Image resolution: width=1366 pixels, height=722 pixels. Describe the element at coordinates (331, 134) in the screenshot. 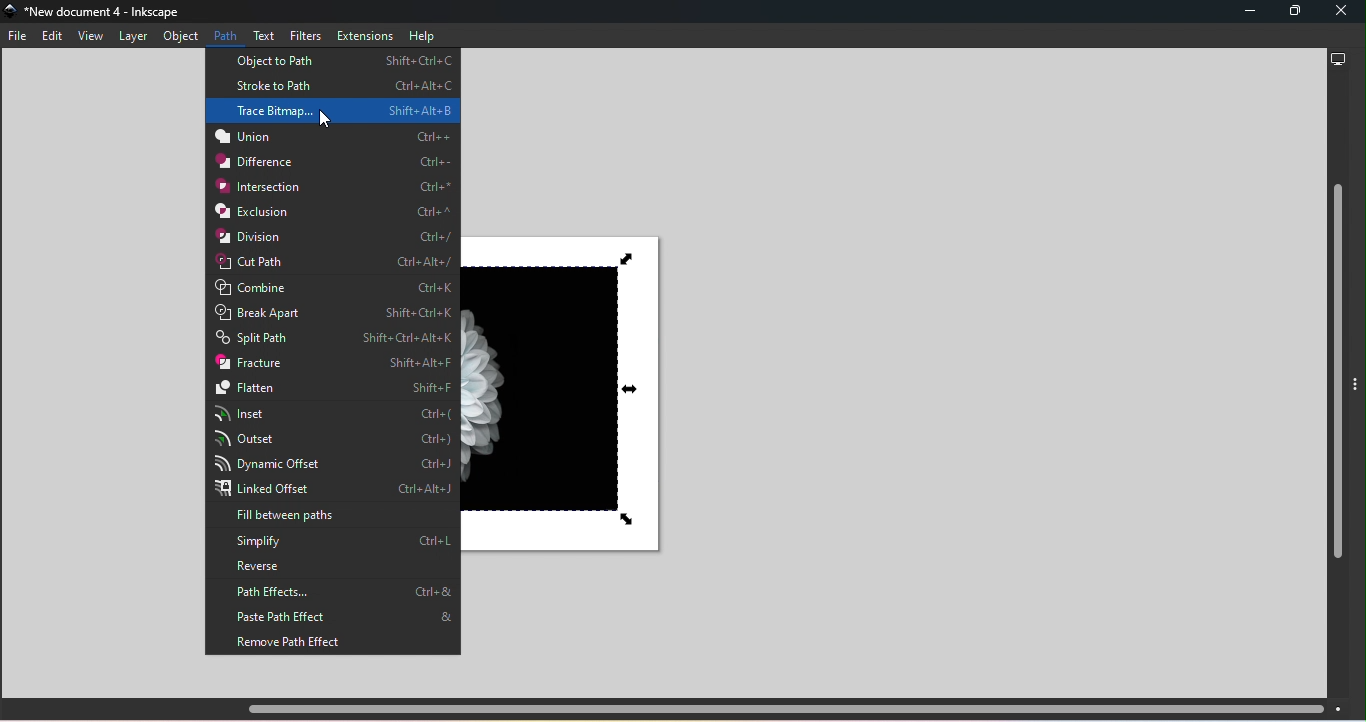

I see `Union` at that location.